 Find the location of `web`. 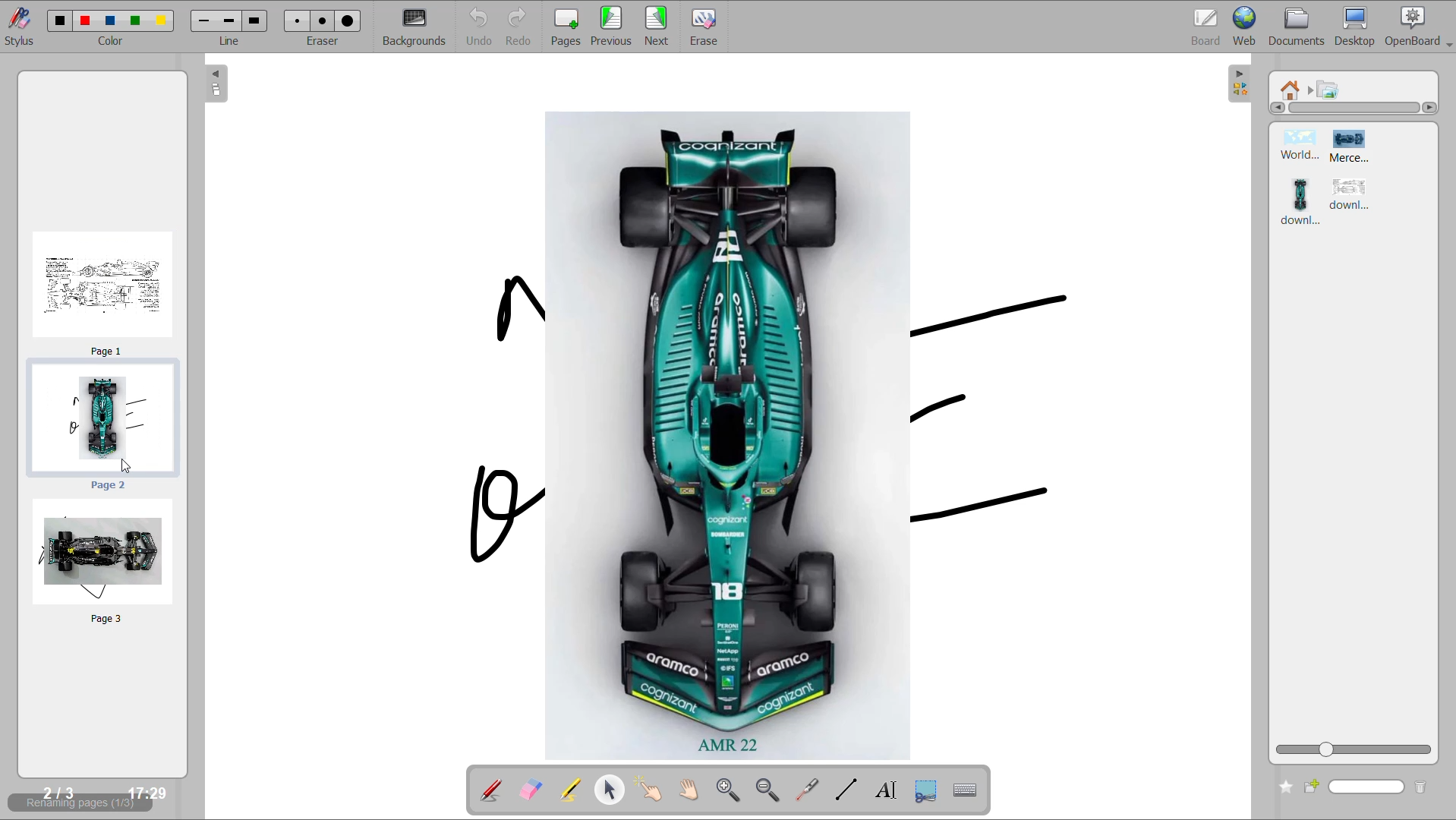

web is located at coordinates (1244, 24).